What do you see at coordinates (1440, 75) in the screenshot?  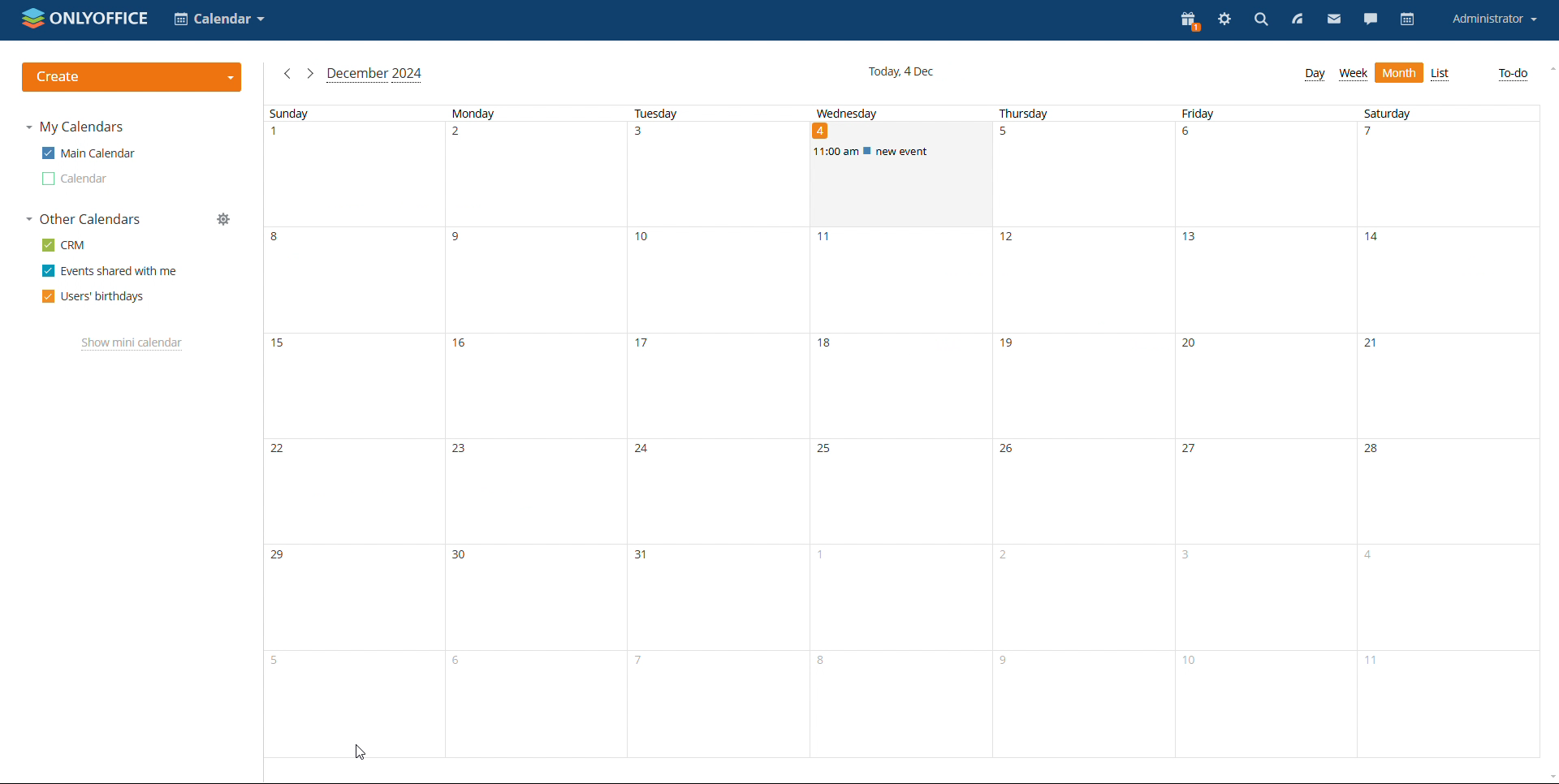 I see `month view` at bounding box center [1440, 75].